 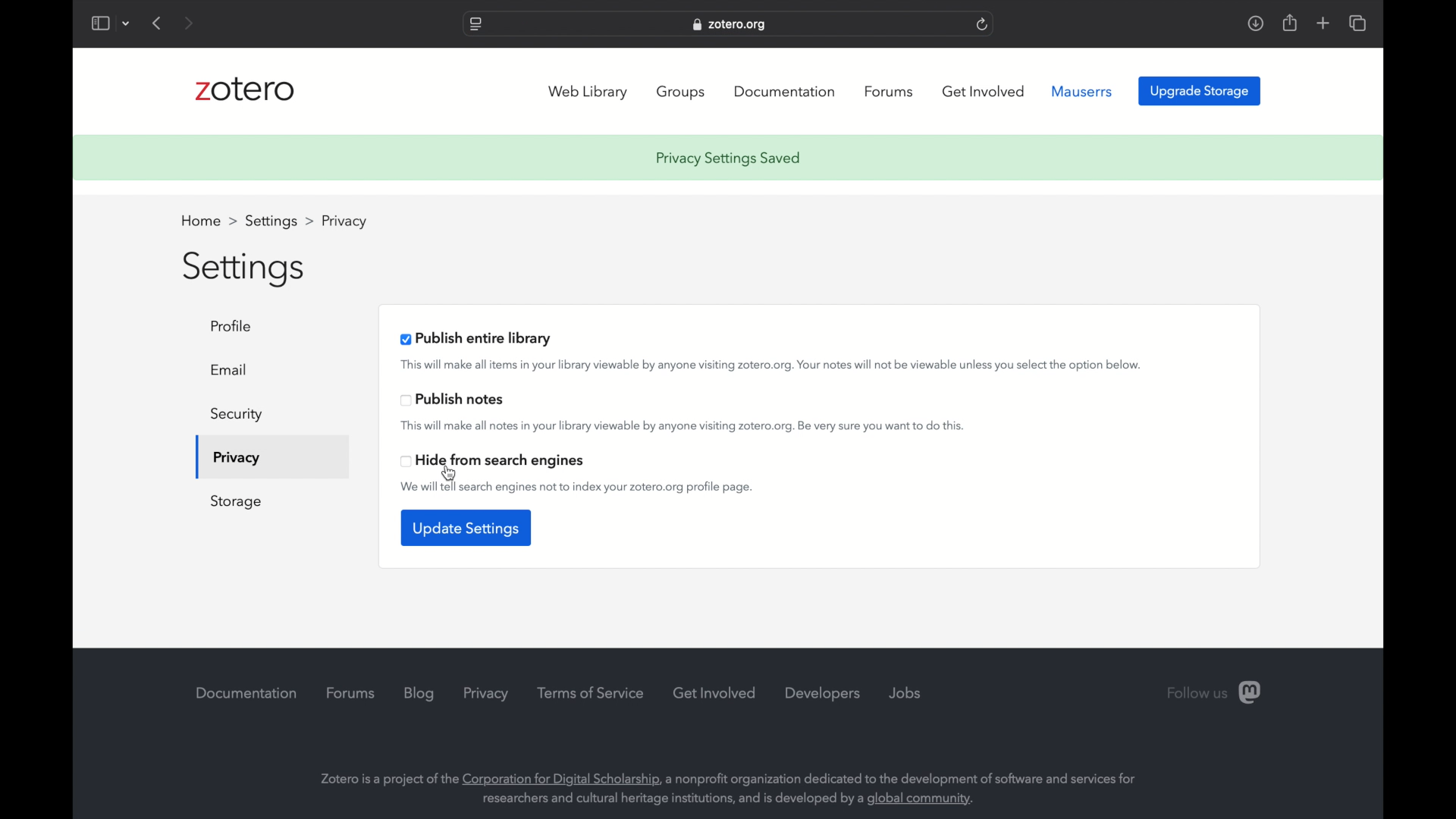 What do you see at coordinates (190, 23) in the screenshot?
I see `next` at bounding box center [190, 23].